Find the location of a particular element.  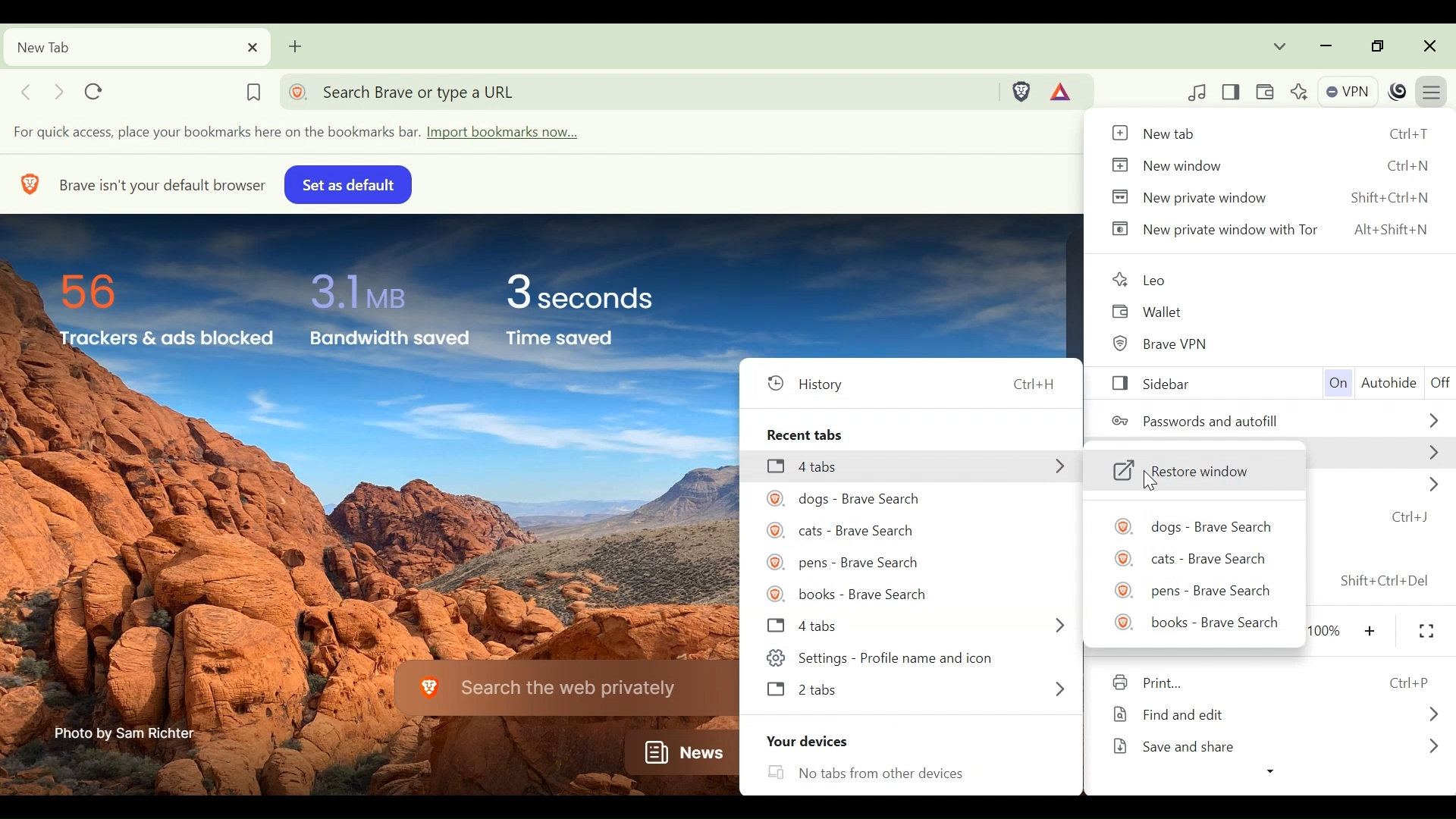

Your devices is located at coordinates (804, 741).